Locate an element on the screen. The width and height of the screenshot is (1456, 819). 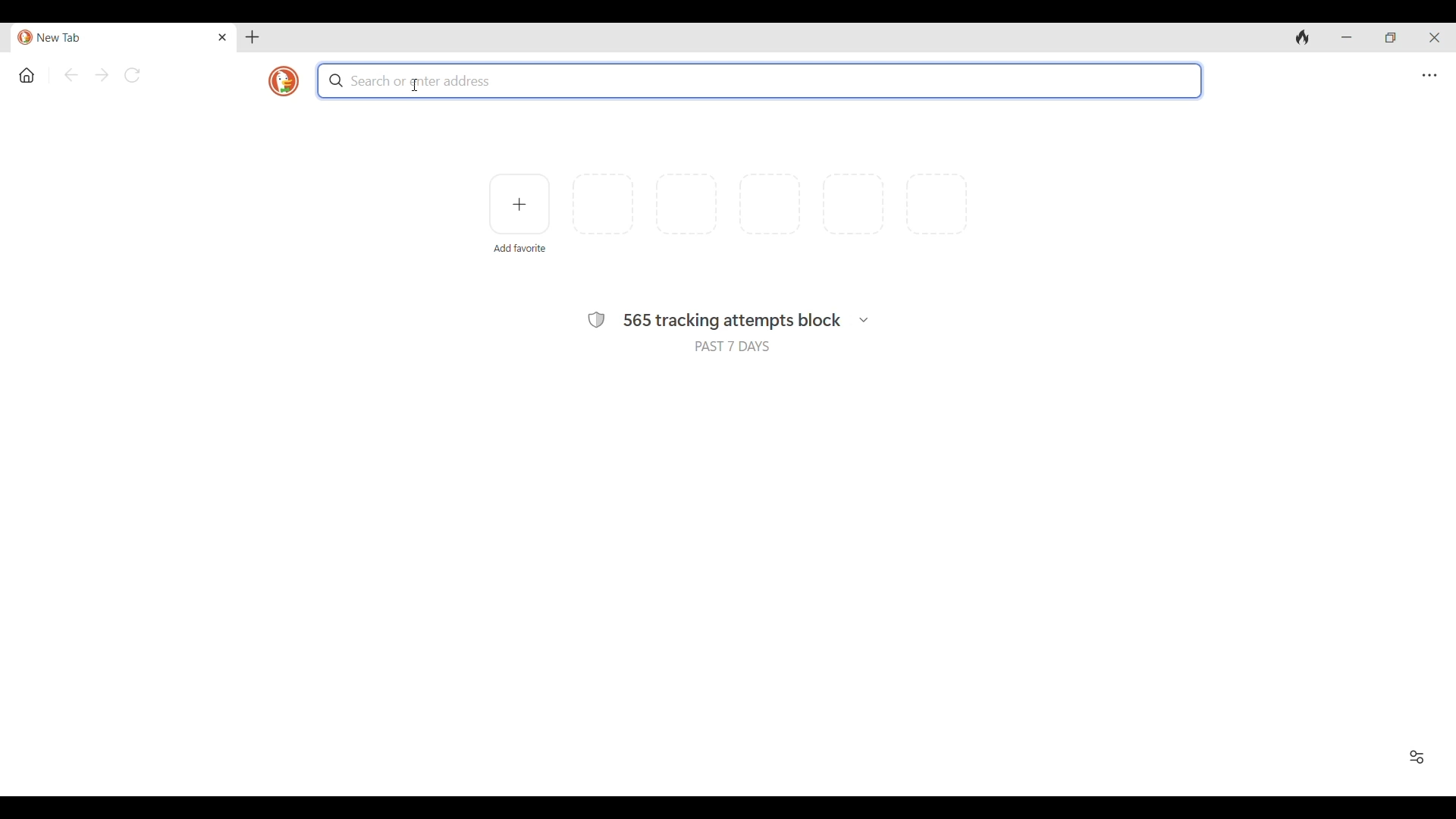
Go forward is located at coordinates (102, 75).